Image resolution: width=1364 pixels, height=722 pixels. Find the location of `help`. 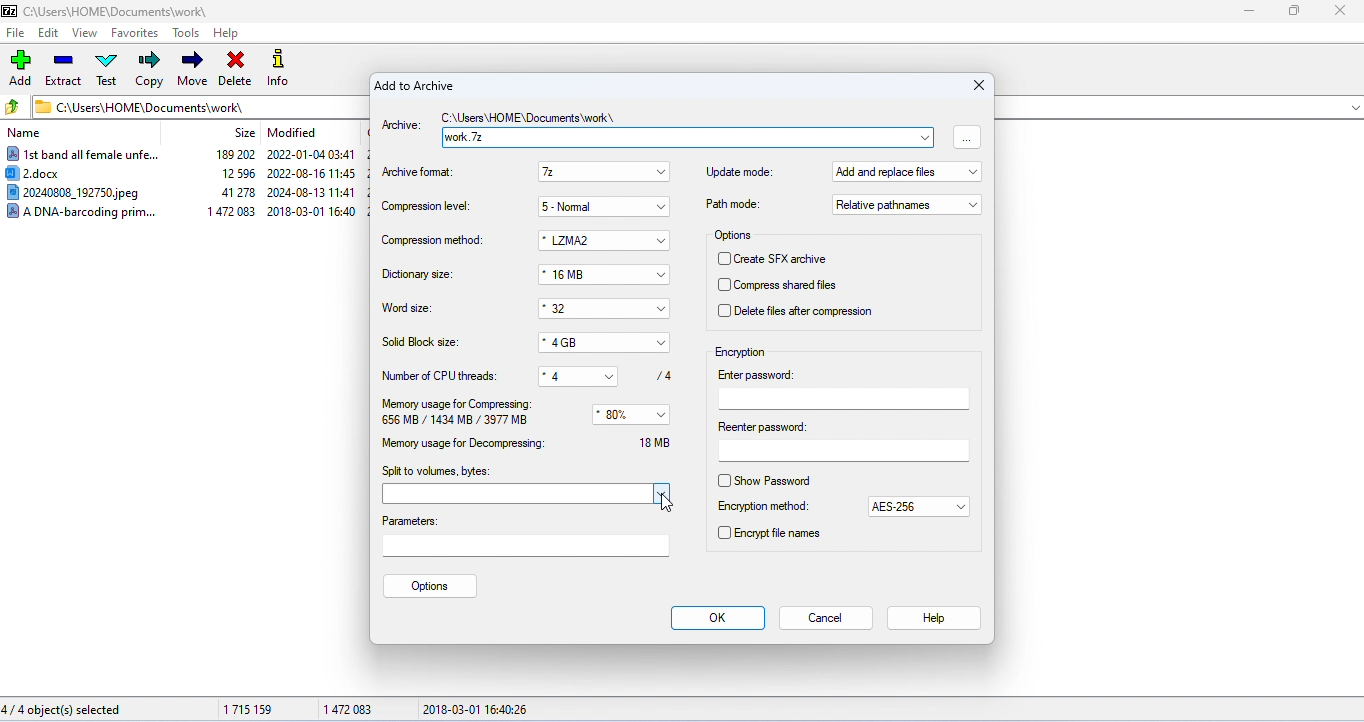

help is located at coordinates (226, 34).